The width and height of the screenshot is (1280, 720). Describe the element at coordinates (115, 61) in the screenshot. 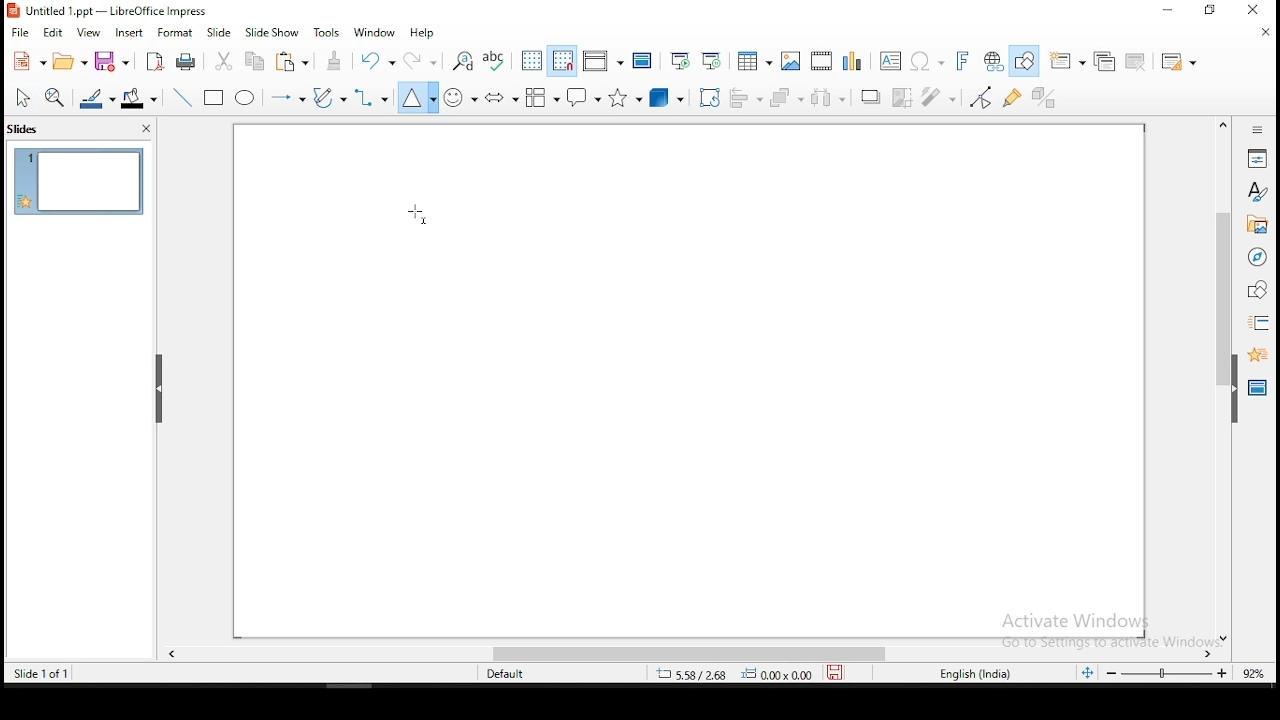

I see `save` at that location.